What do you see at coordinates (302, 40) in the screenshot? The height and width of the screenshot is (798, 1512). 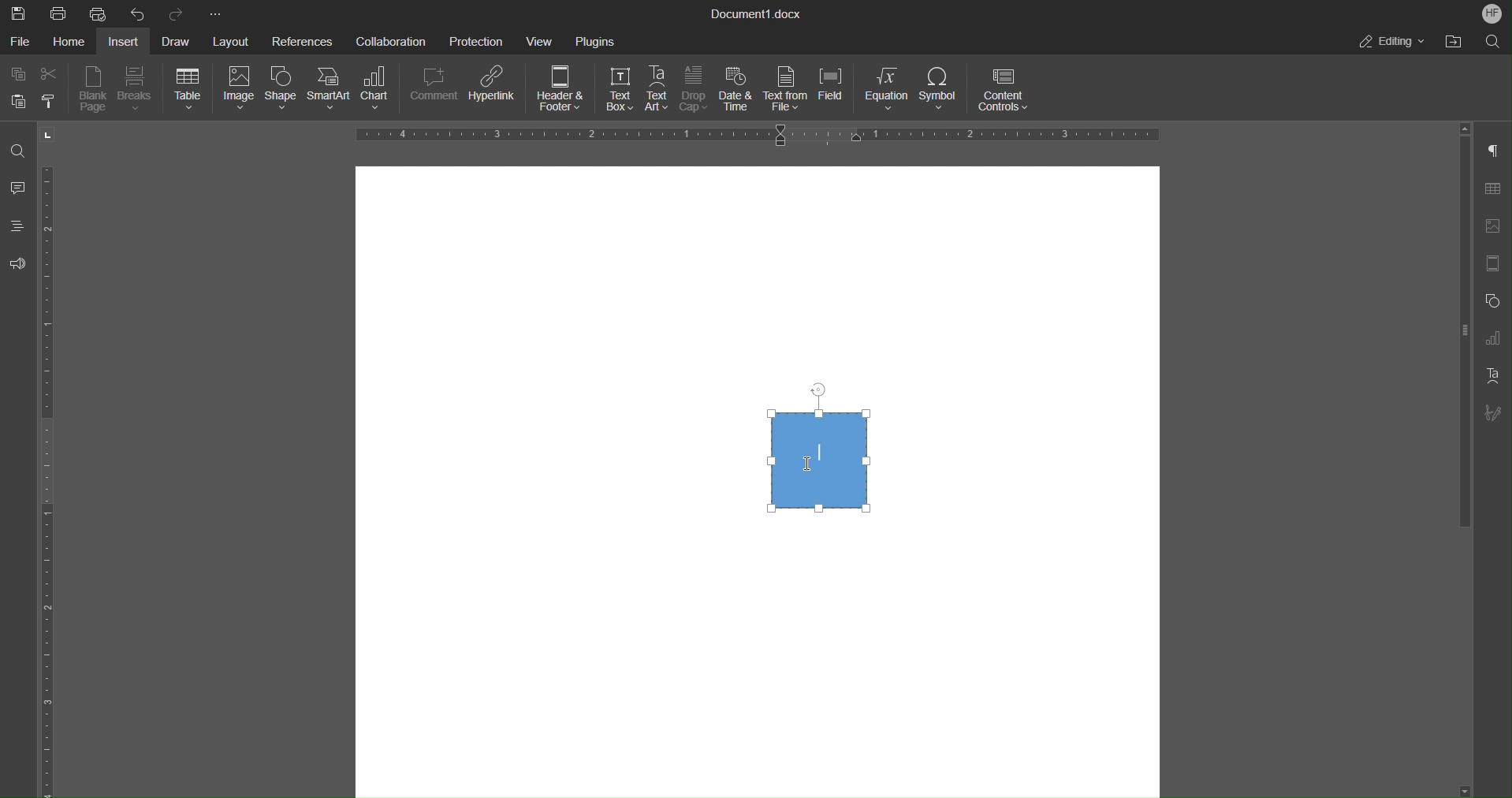 I see `References` at bounding box center [302, 40].